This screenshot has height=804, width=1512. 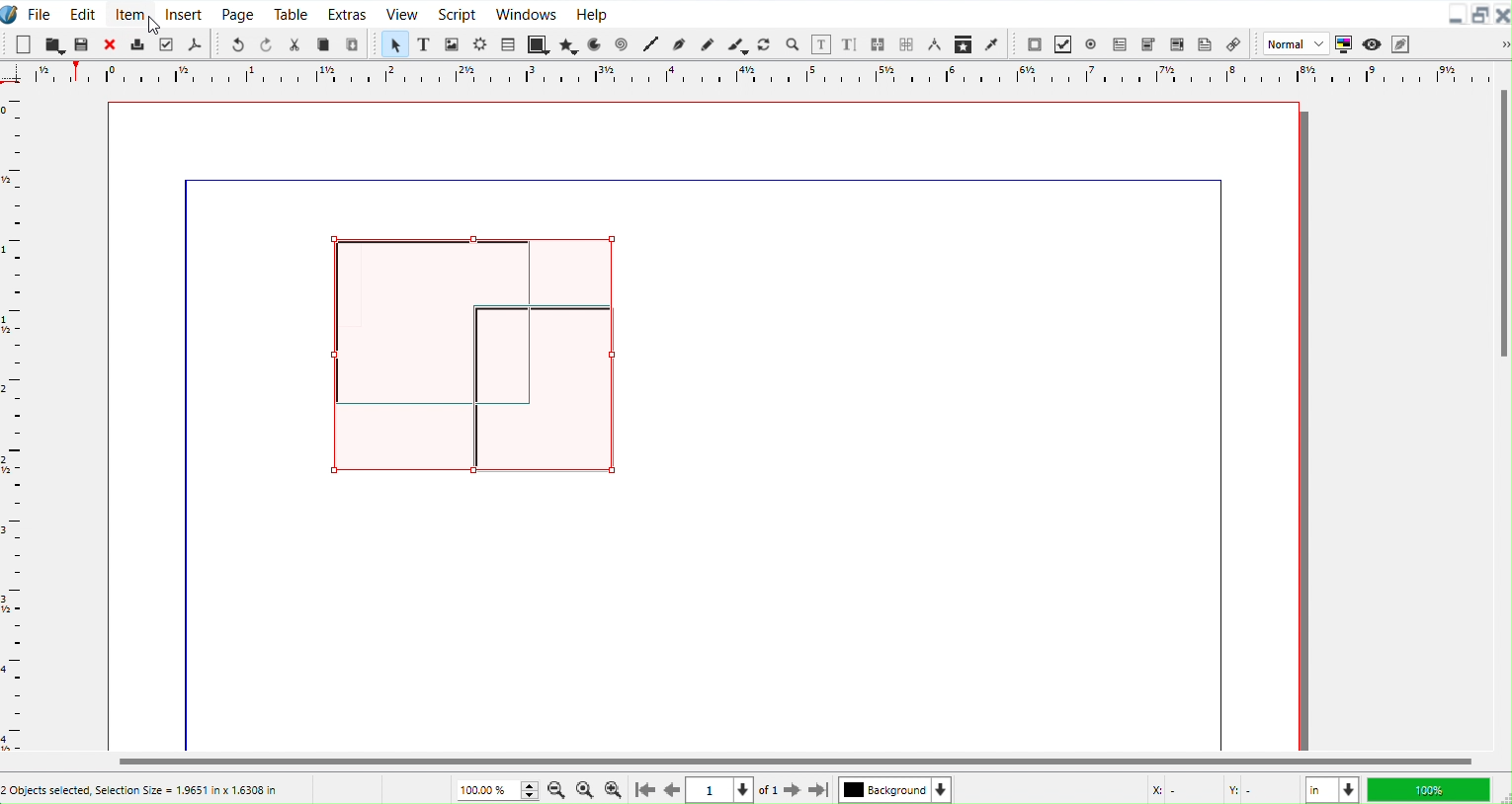 I want to click on Go to First Page, so click(x=643, y=790).